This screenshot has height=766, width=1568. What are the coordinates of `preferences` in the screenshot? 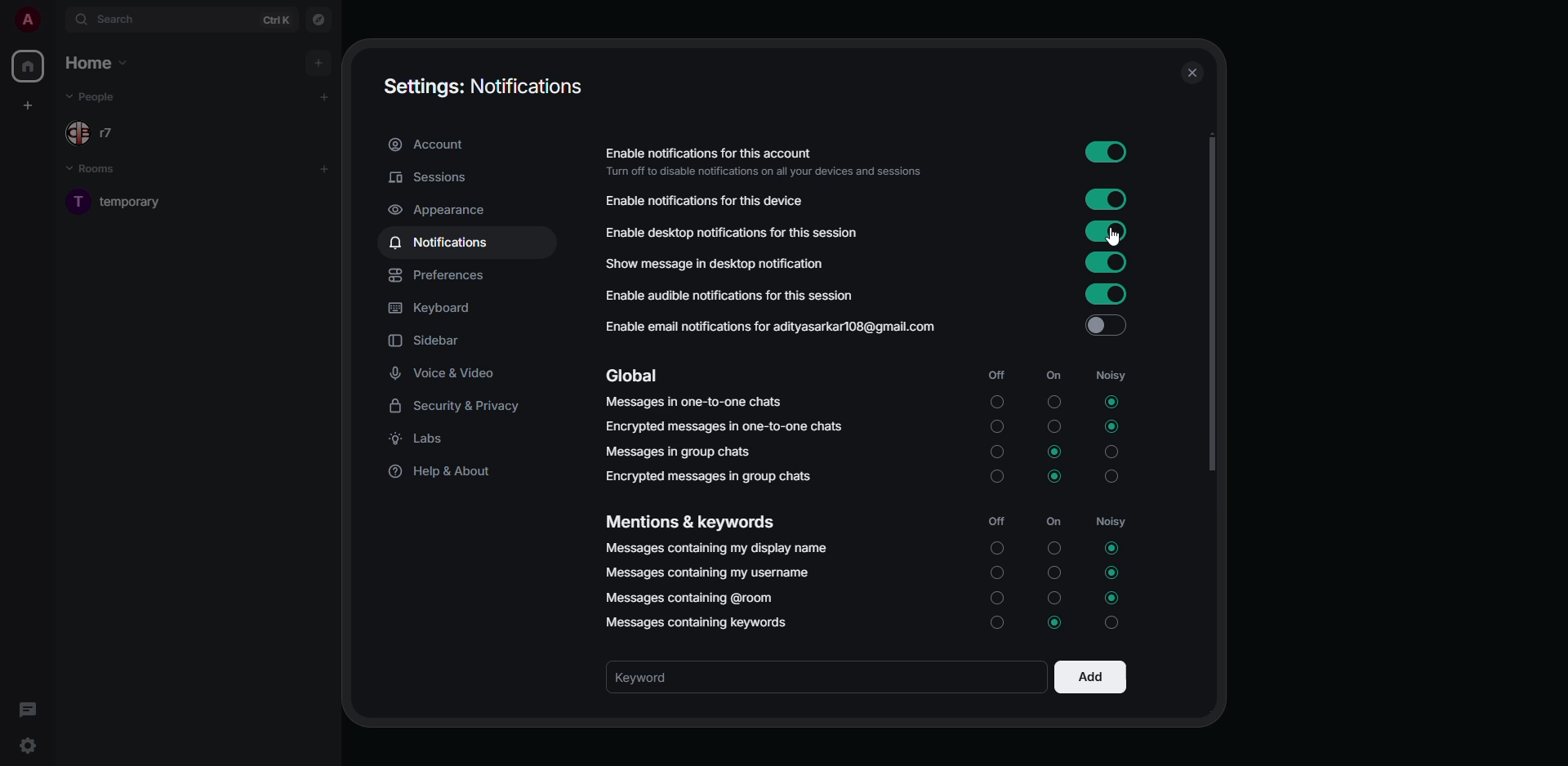 It's located at (442, 276).